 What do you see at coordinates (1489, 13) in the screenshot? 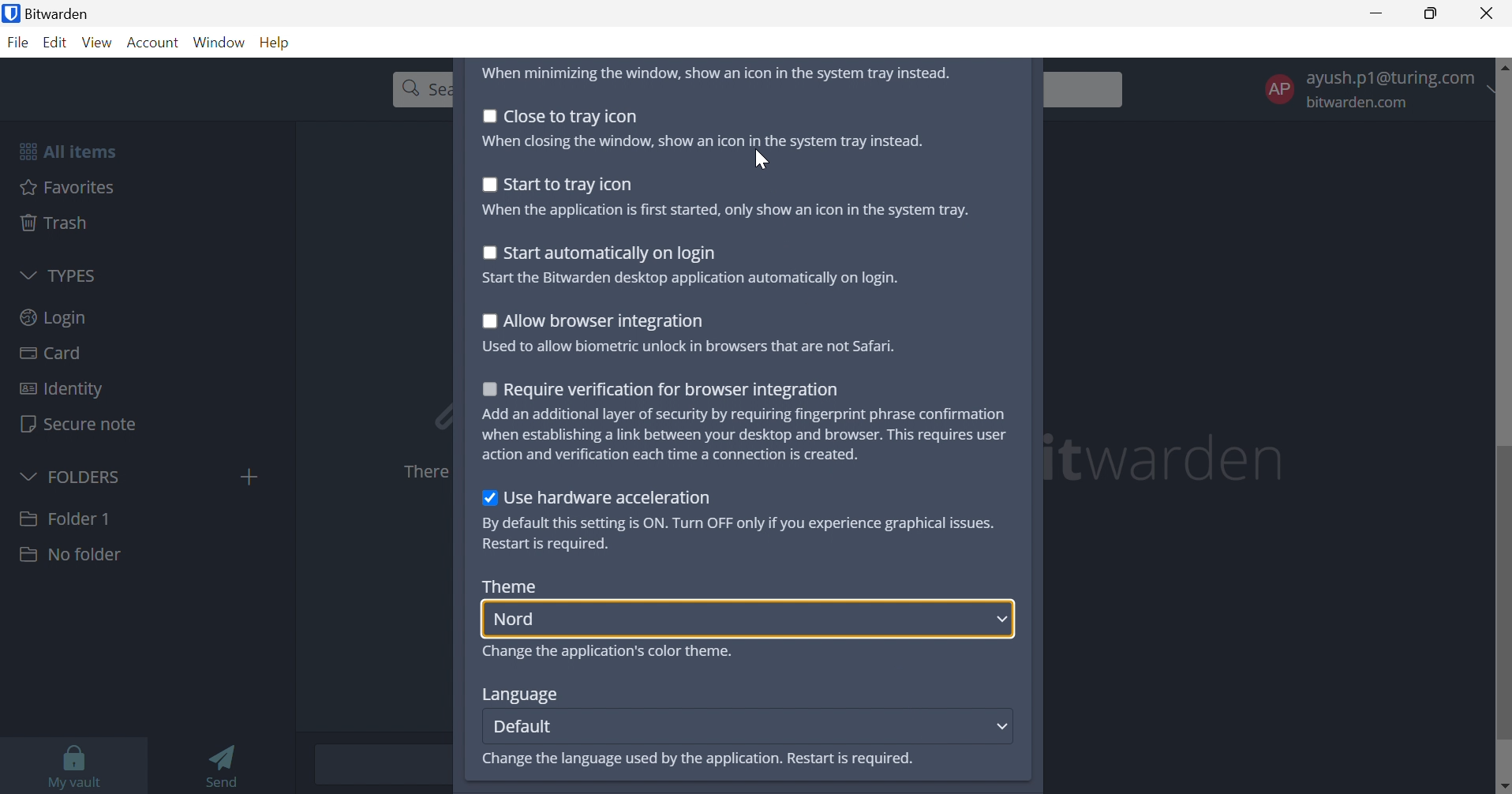
I see `Close` at bounding box center [1489, 13].